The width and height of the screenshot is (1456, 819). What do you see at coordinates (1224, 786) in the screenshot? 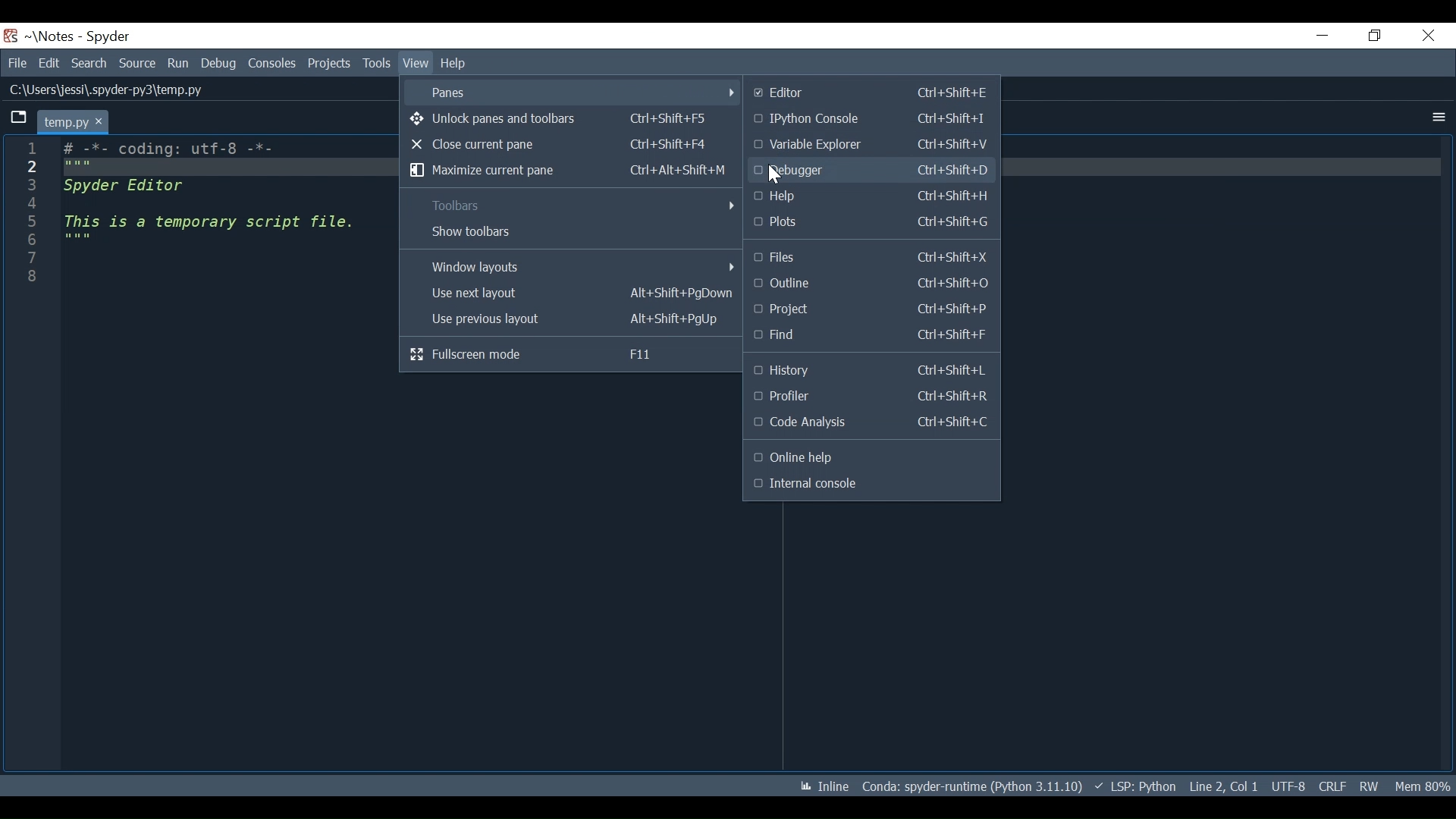
I see `Line 2, Col 1` at bounding box center [1224, 786].